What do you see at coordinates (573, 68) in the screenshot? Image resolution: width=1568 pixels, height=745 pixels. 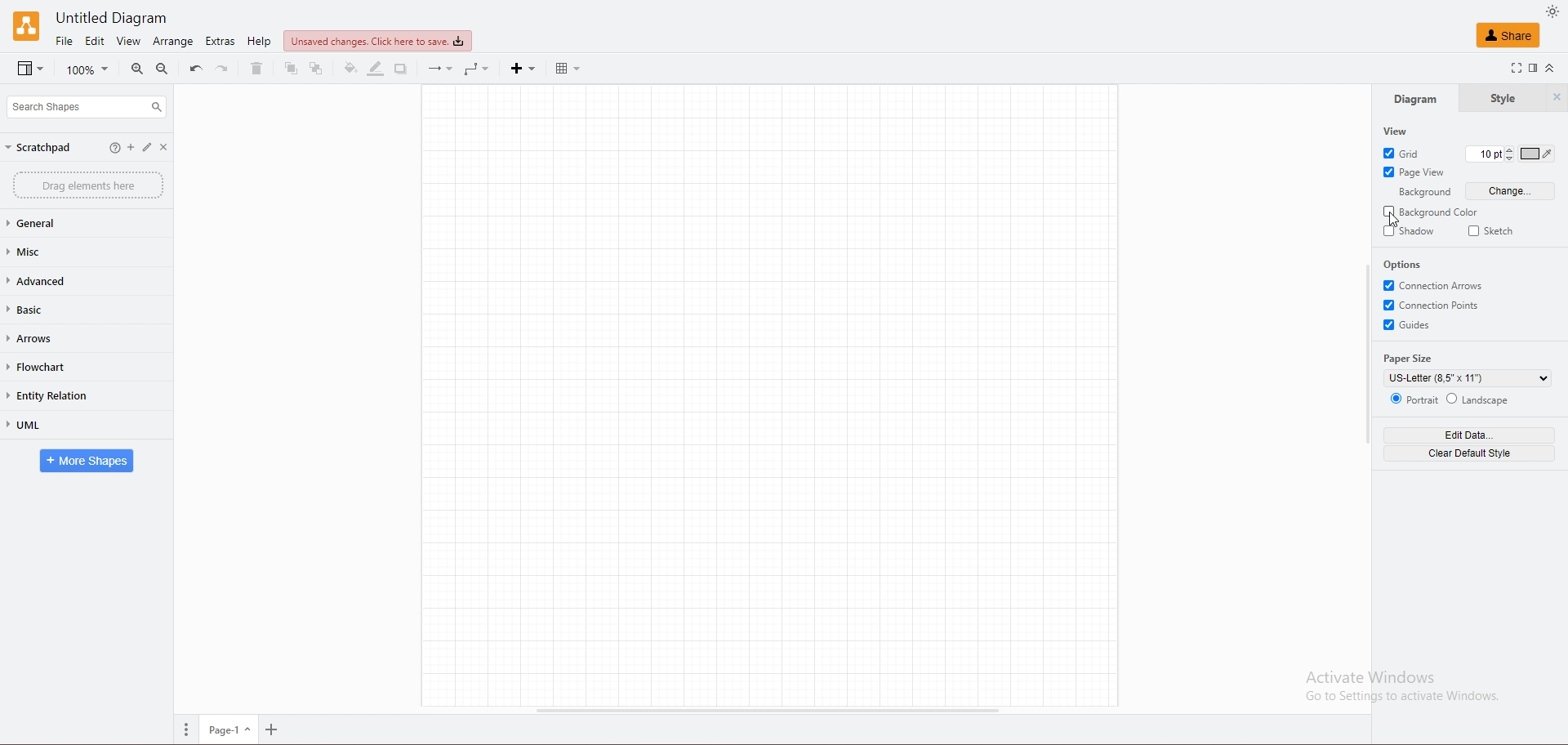 I see `table` at bounding box center [573, 68].